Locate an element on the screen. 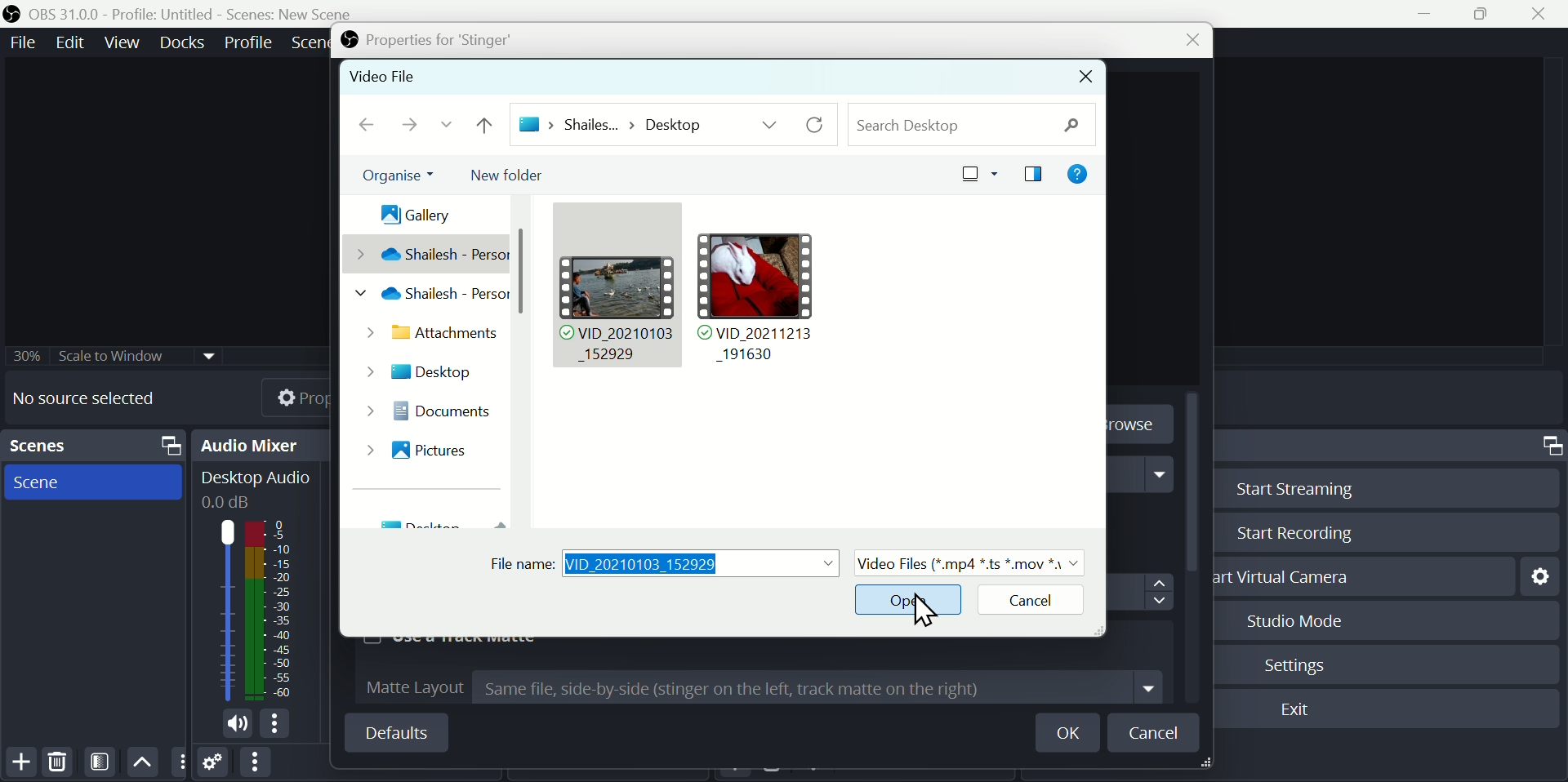 The height and width of the screenshot is (782, 1568). Start virtual camera is located at coordinates (1291, 576).